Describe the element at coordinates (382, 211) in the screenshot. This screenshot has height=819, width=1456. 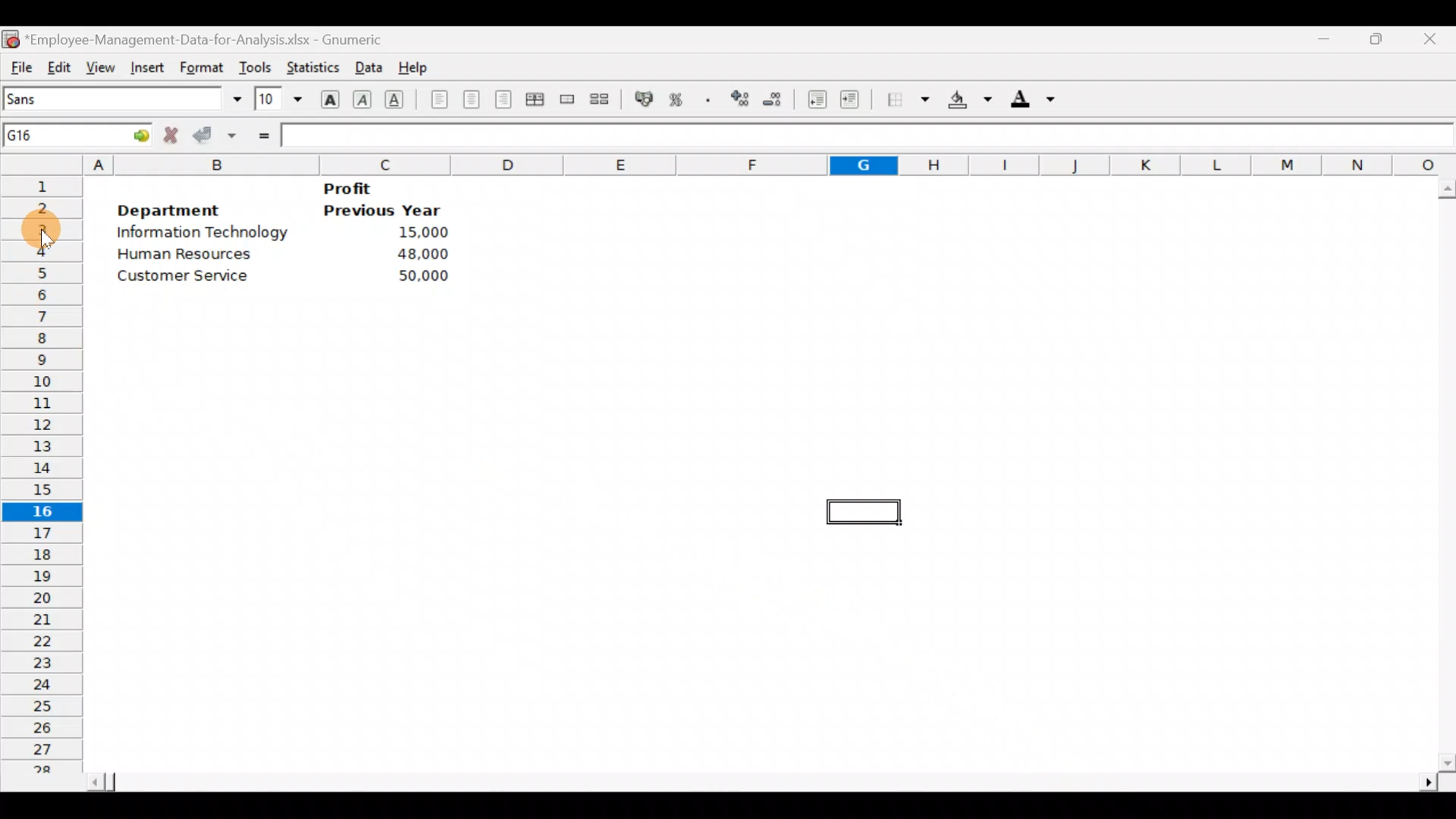
I see `Previous year` at that location.